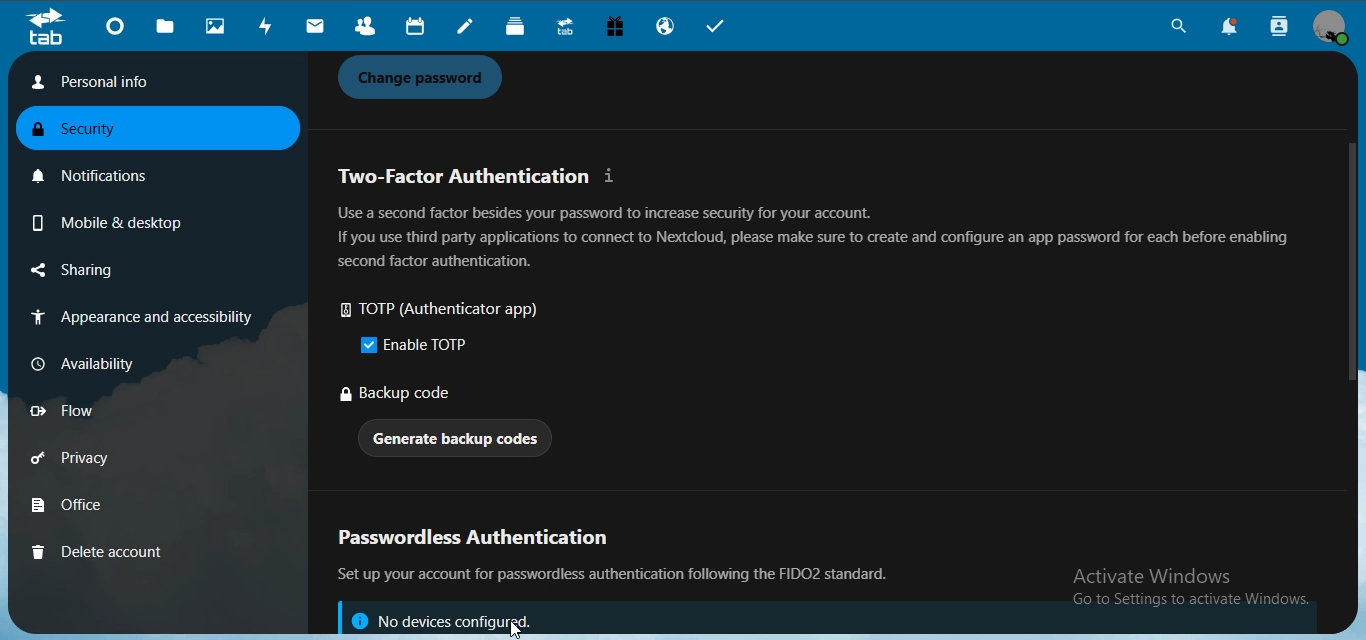 This screenshot has width=1366, height=640. What do you see at coordinates (1332, 28) in the screenshot?
I see `manage profile` at bounding box center [1332, 28].